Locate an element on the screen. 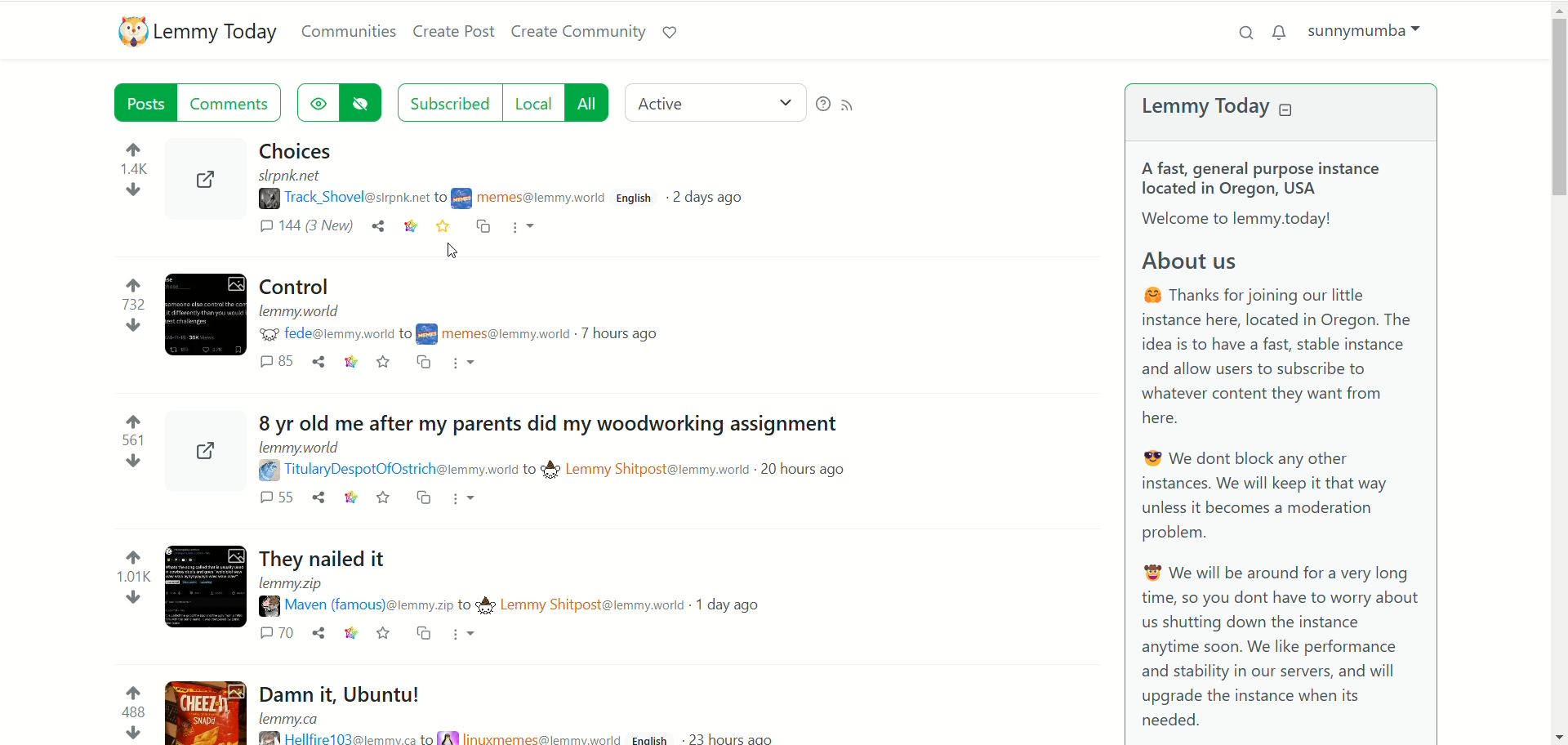  post on "Damn it, Ubuntu!" is located at coordinates (394, 700).